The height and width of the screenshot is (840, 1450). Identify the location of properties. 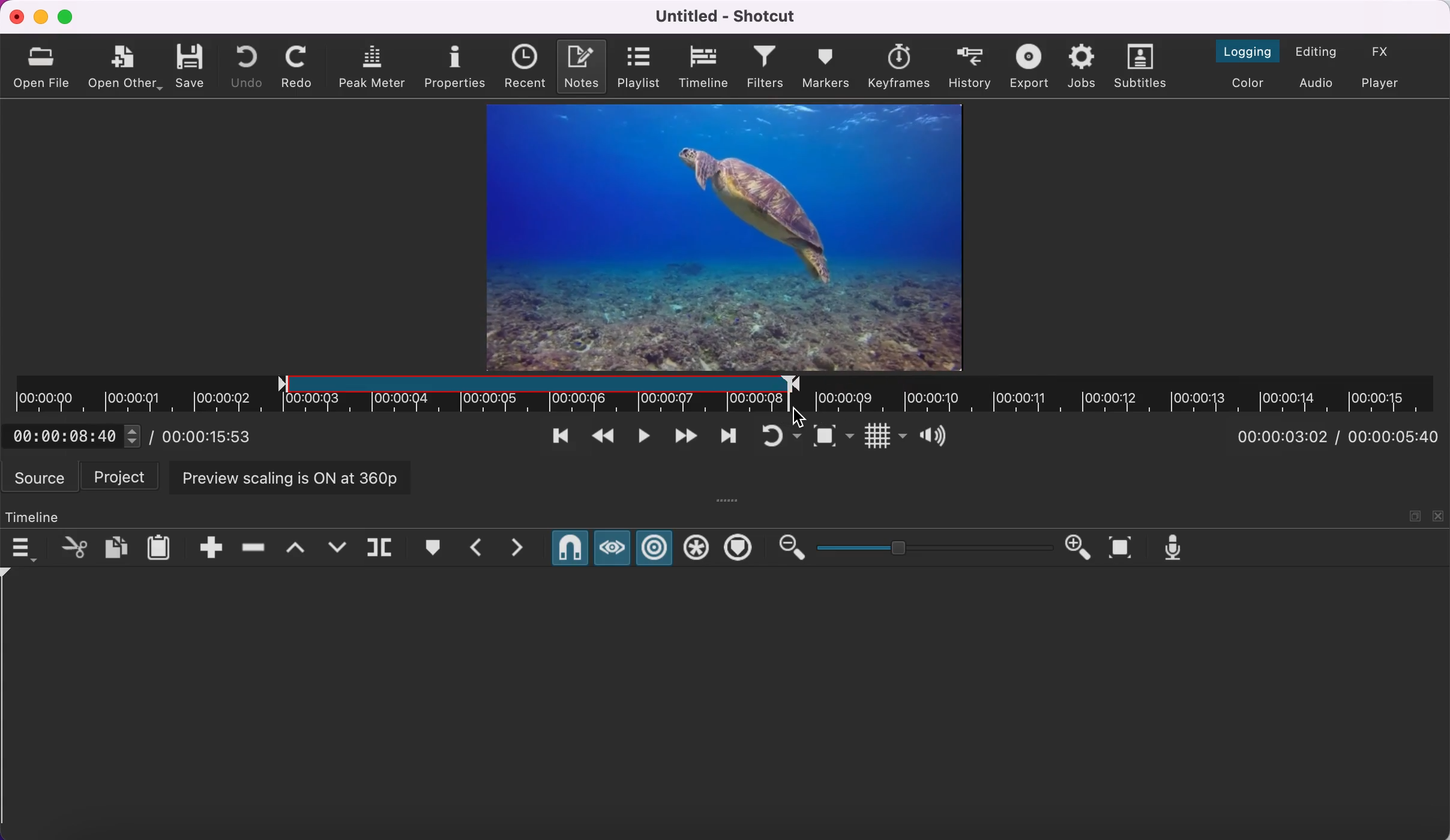
(456, 65).